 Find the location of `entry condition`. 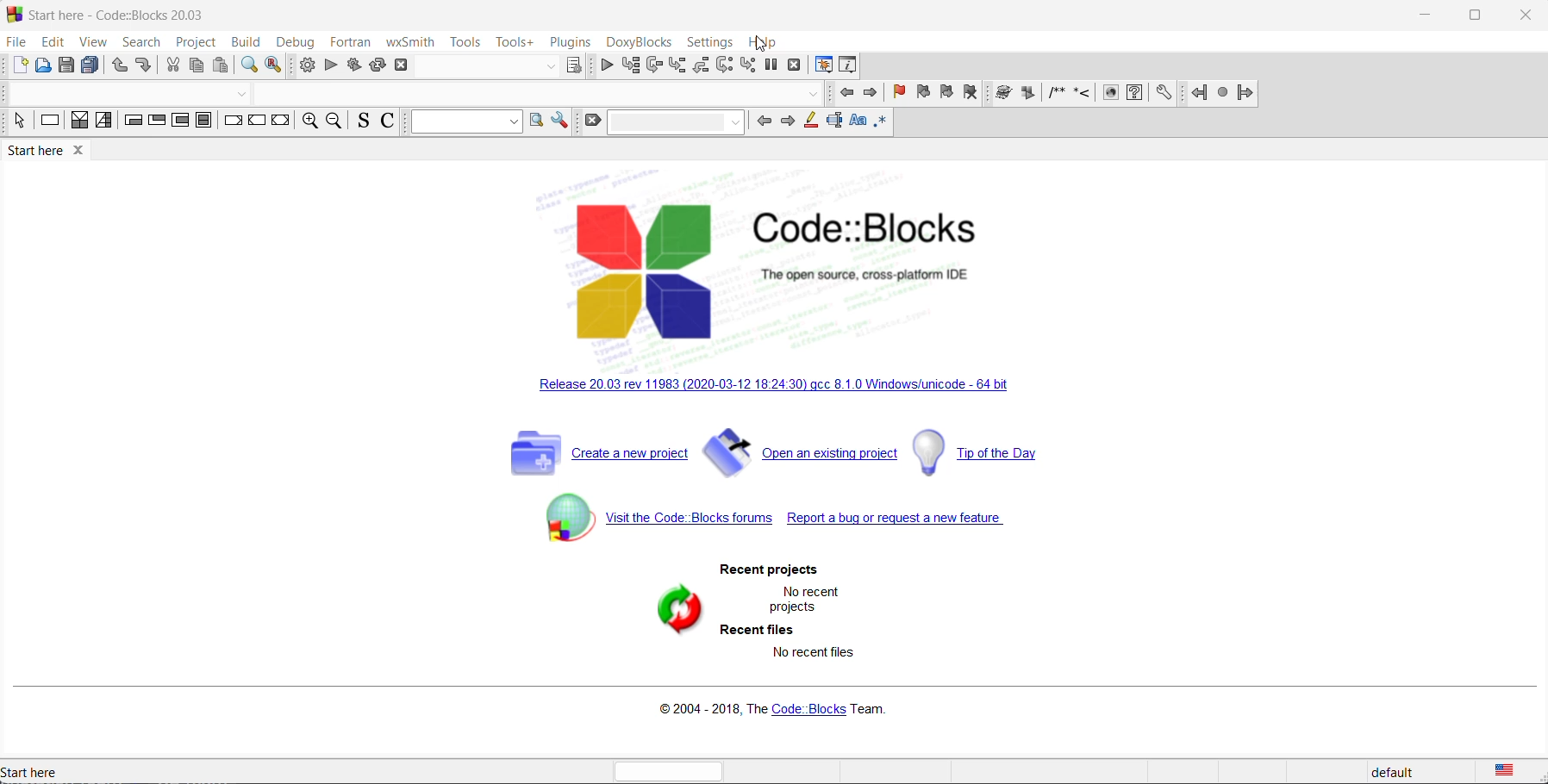

entry condition is located at coordinates (131, 122).